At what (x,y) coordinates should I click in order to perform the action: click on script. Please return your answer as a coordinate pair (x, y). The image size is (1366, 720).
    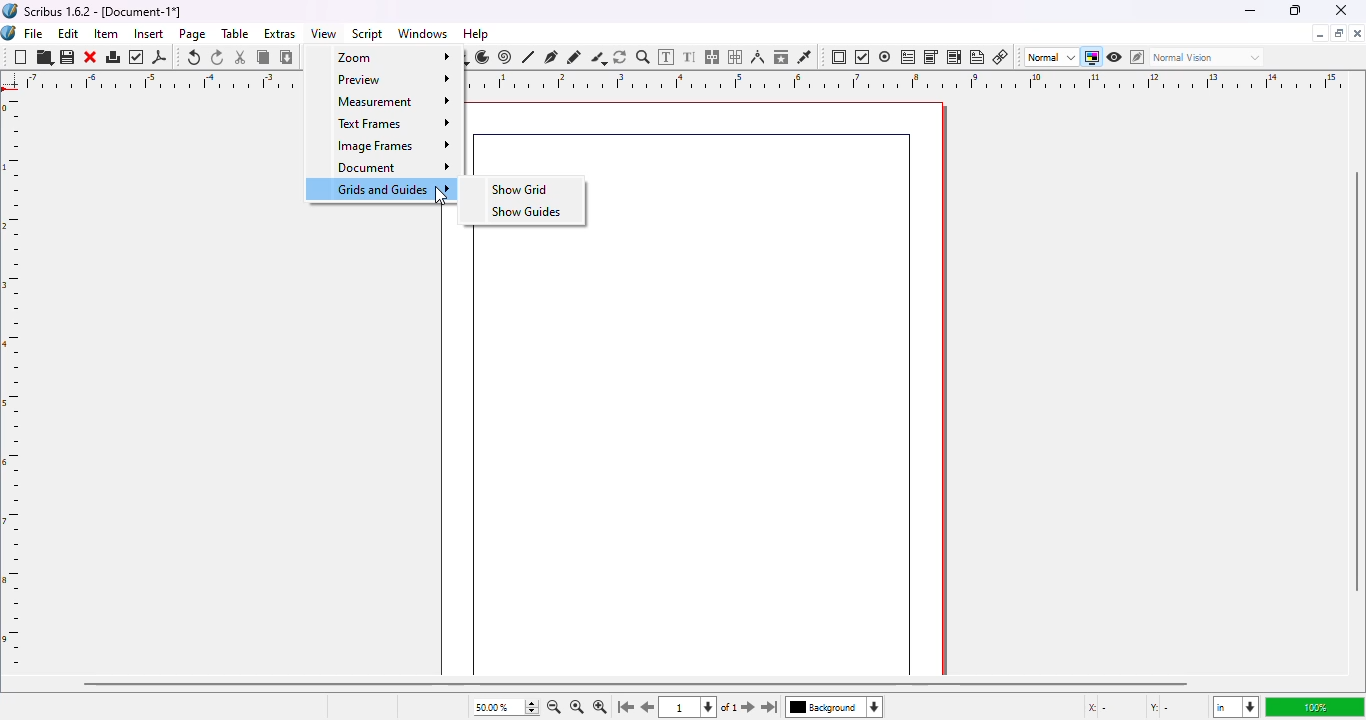
    Looking at the image, I should click on (369, 32).